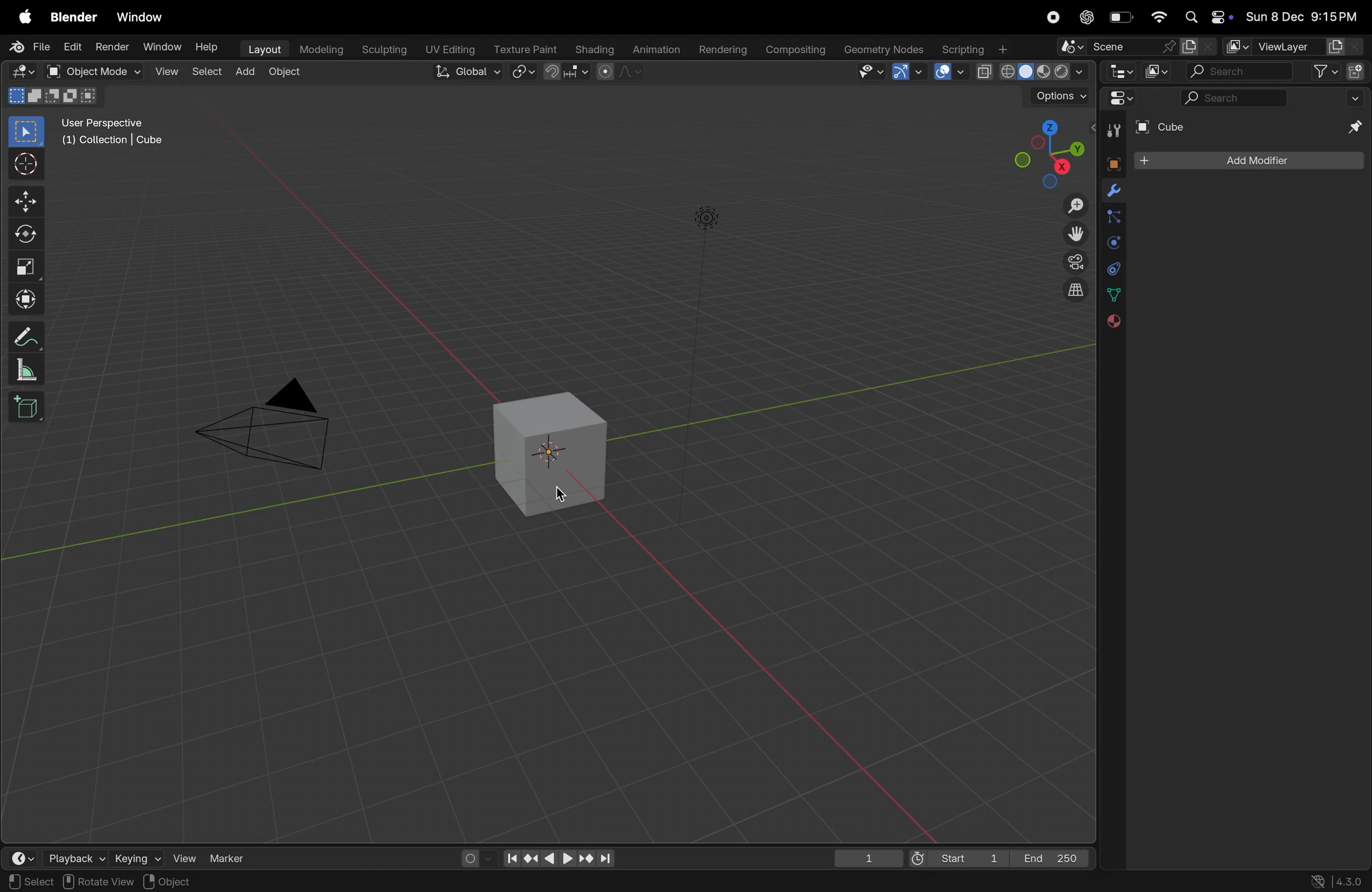 This screenshot has height=892, width=1372. What do you see at coordinates (1111, 131) in the screenshot?
I see `tool` at bounding box center [1111, 131].